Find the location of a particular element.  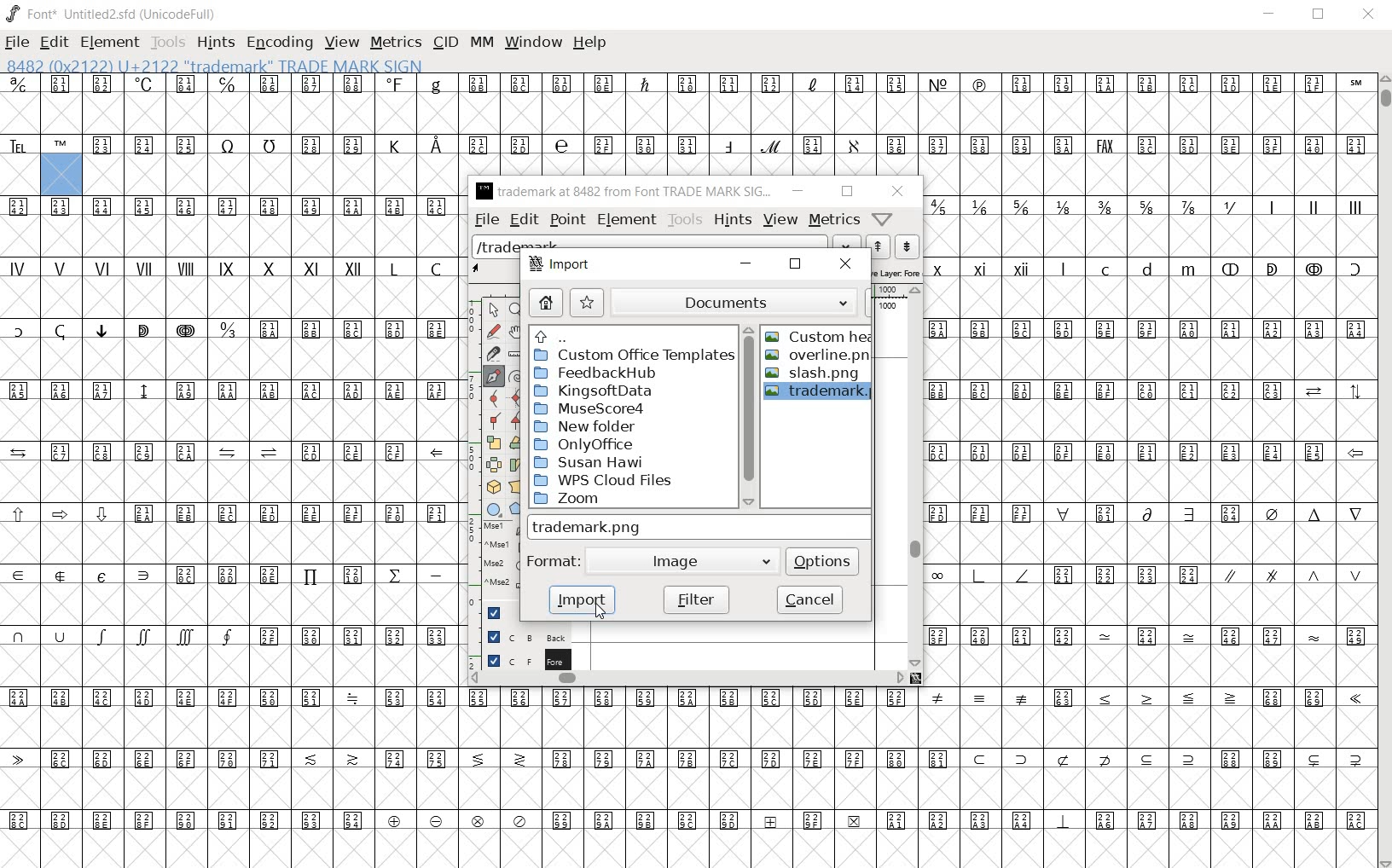

zoom is located at coordinates (632, 500).